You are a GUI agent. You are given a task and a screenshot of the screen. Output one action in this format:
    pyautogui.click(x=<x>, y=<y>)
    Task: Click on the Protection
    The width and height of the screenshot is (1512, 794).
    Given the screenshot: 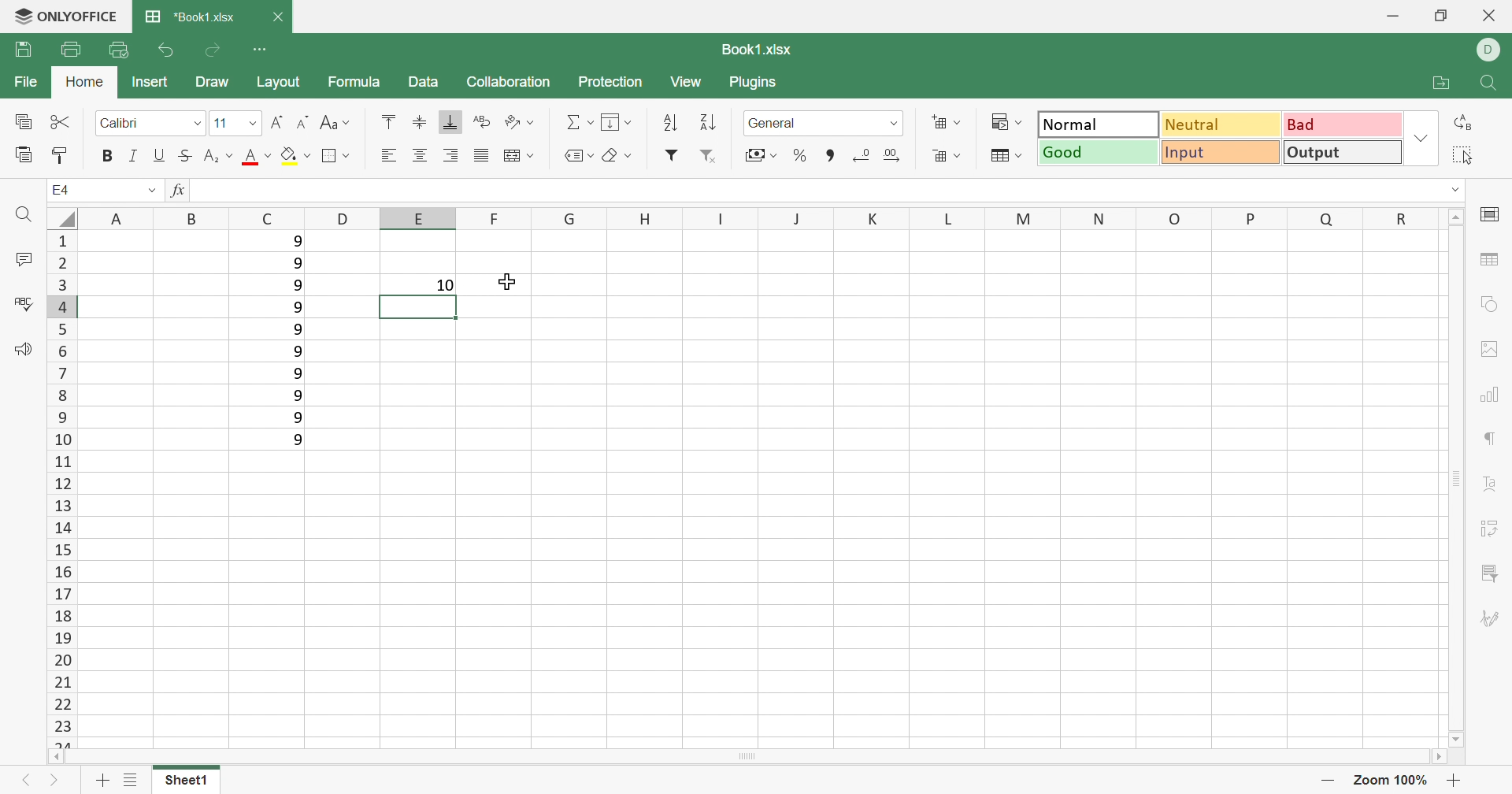 What is the action you would take?
    pyautogui.click(x=617, y=86)
    